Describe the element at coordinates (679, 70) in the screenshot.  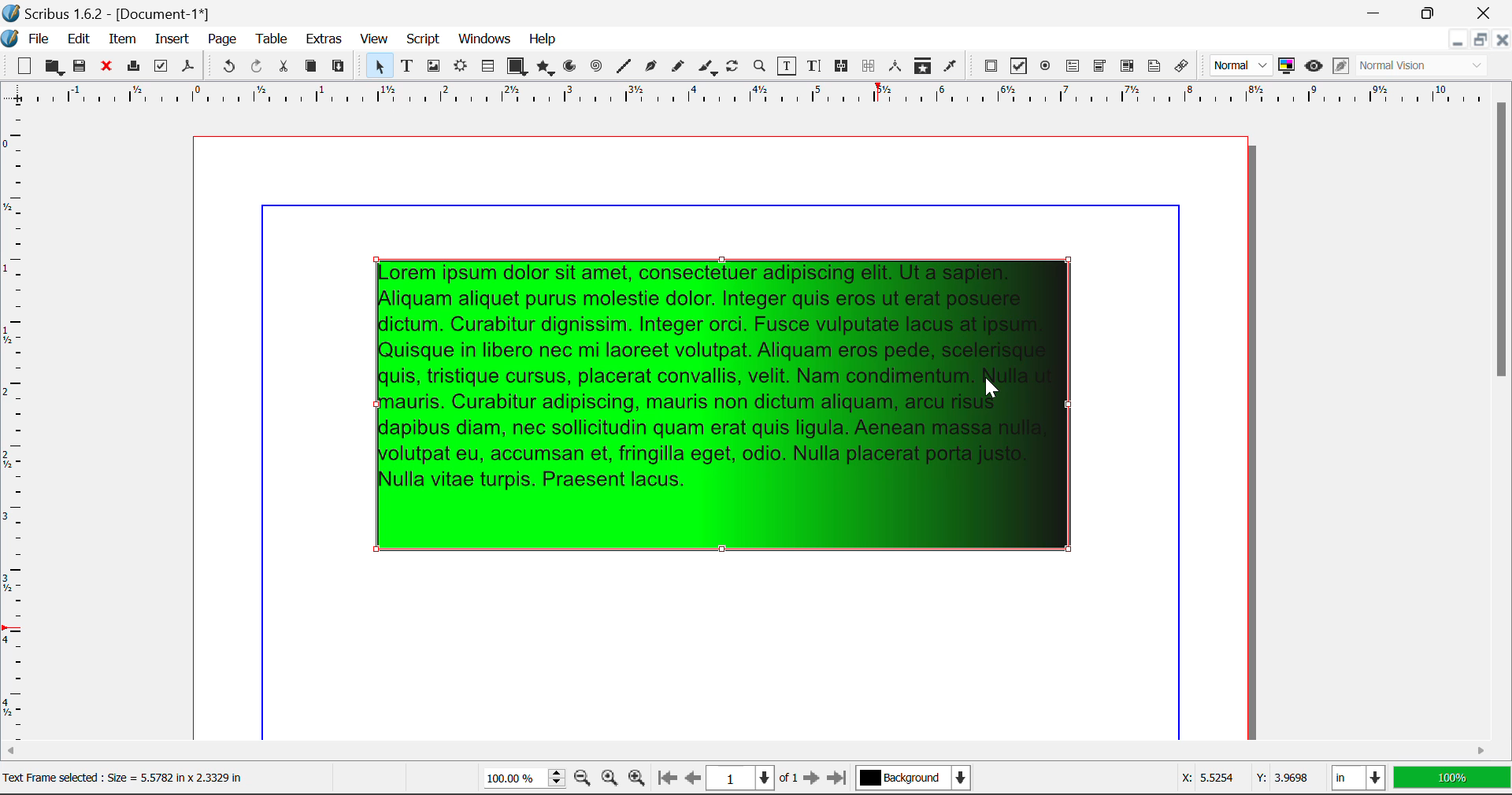
I see `Freehand` at that location.